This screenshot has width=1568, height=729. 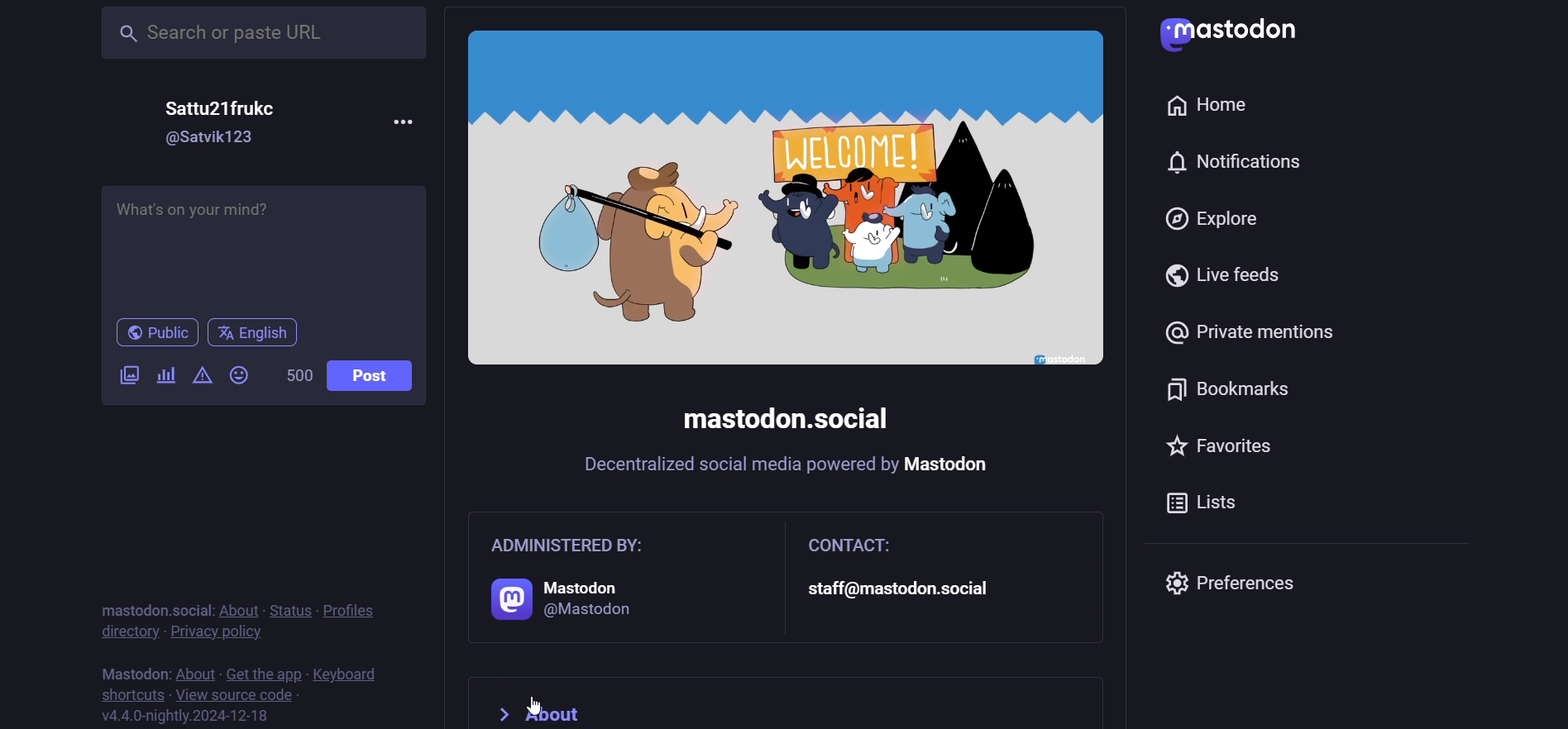 What do you see at coordinates (296, 375) in the screenshot?
I see `word limit` at bounding box center [296, 375].